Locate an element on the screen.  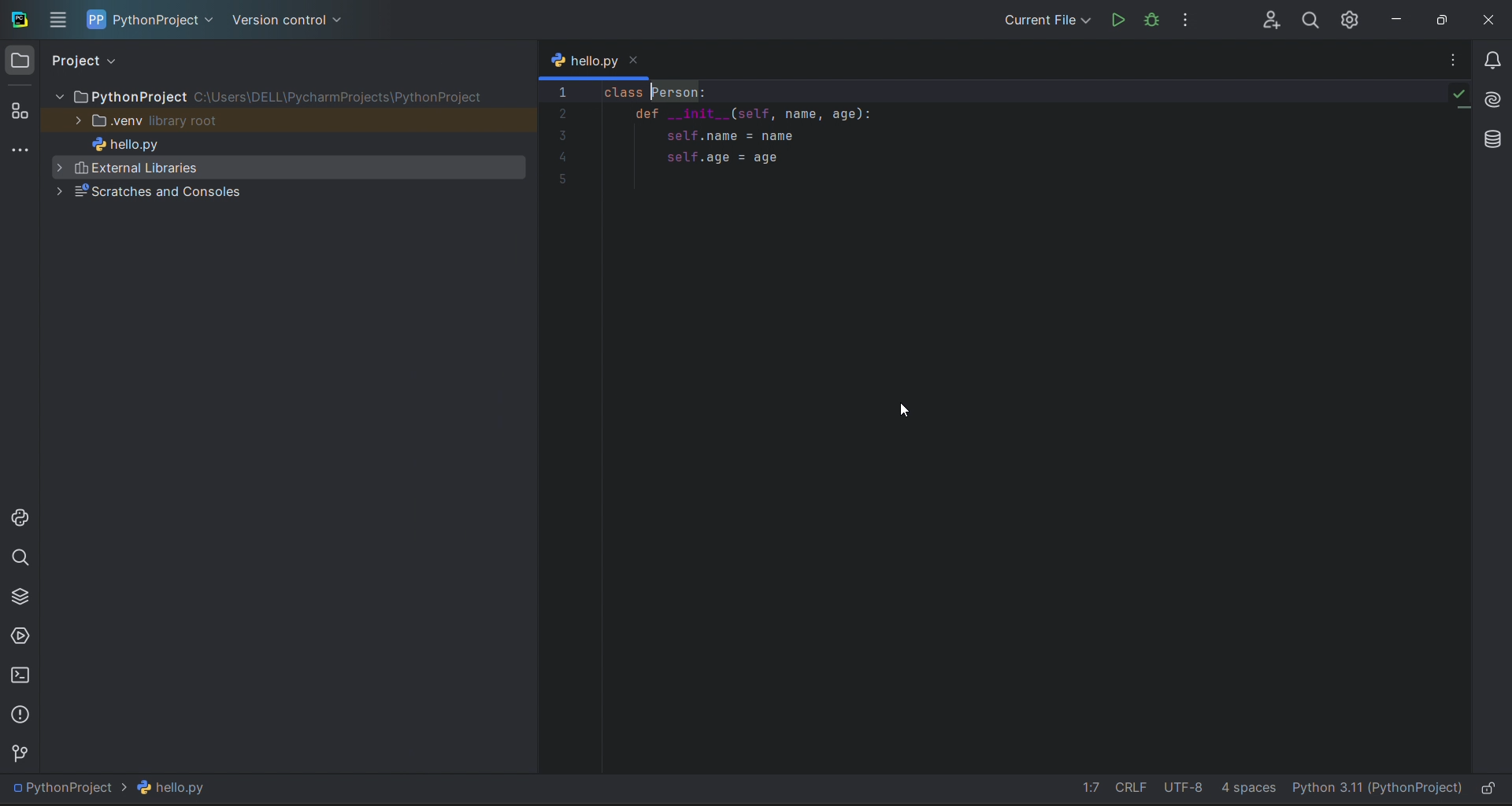
hello.py is located at coordinates (594, 57).